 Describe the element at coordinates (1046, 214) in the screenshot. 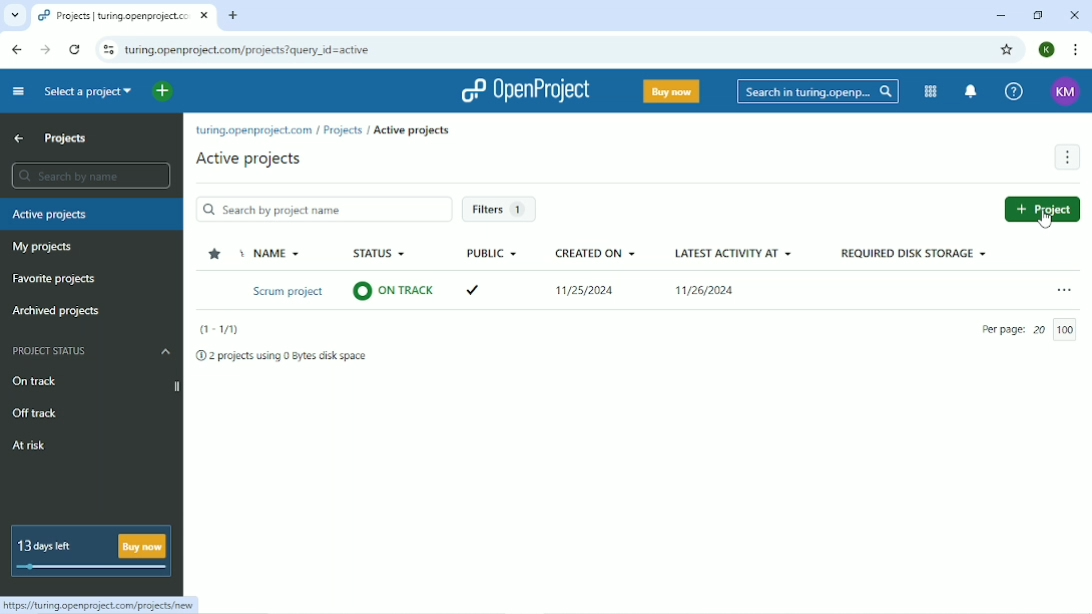

I see `cursor` at that location.